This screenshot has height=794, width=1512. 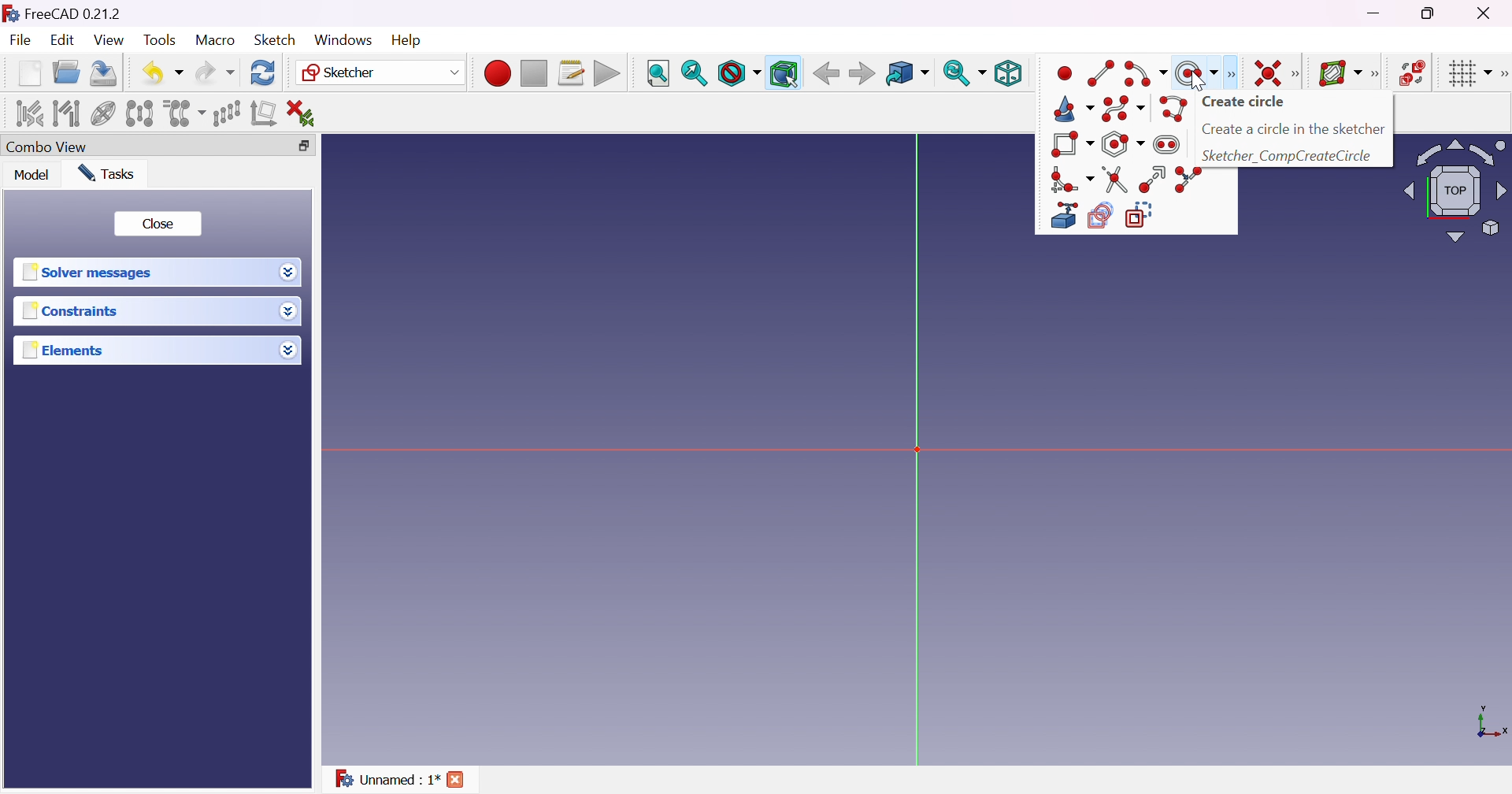 I want to click on Draw style, so click(x=740, y=74).